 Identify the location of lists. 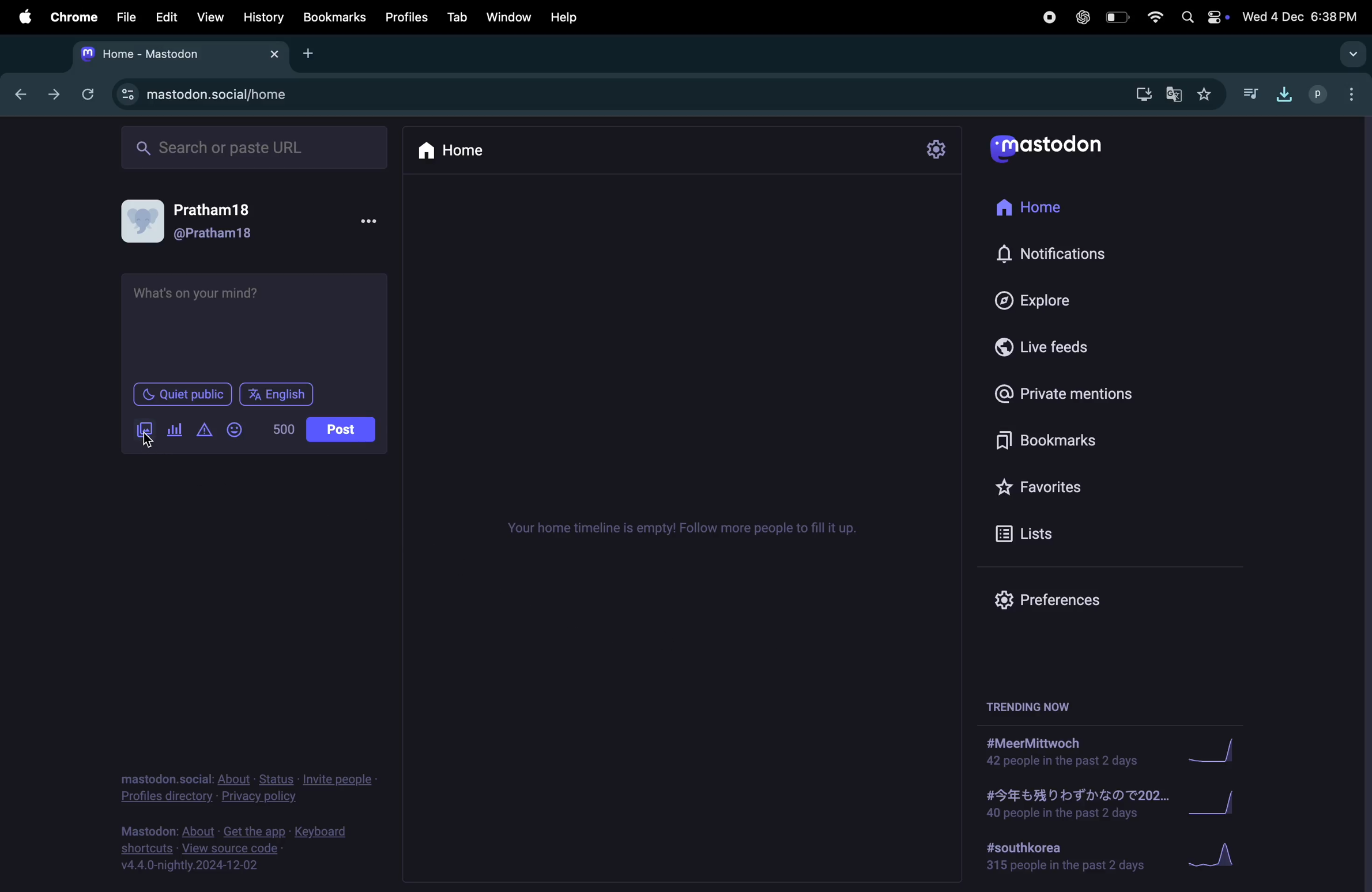
(1036, 536).